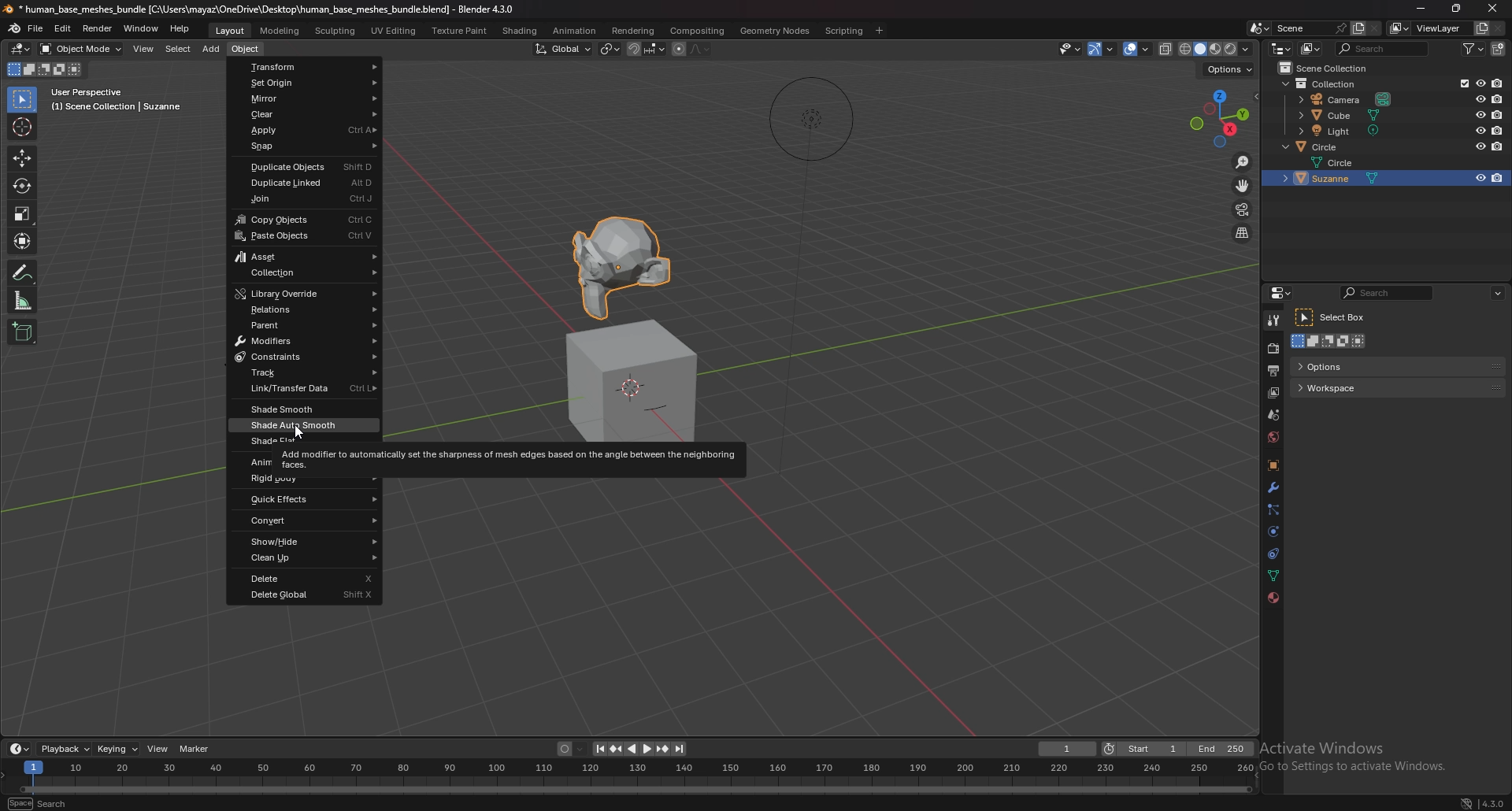  What do you see at coordinates (699, 30) in the screenshot?
I see `compositing` at bounding box center [699, 30].